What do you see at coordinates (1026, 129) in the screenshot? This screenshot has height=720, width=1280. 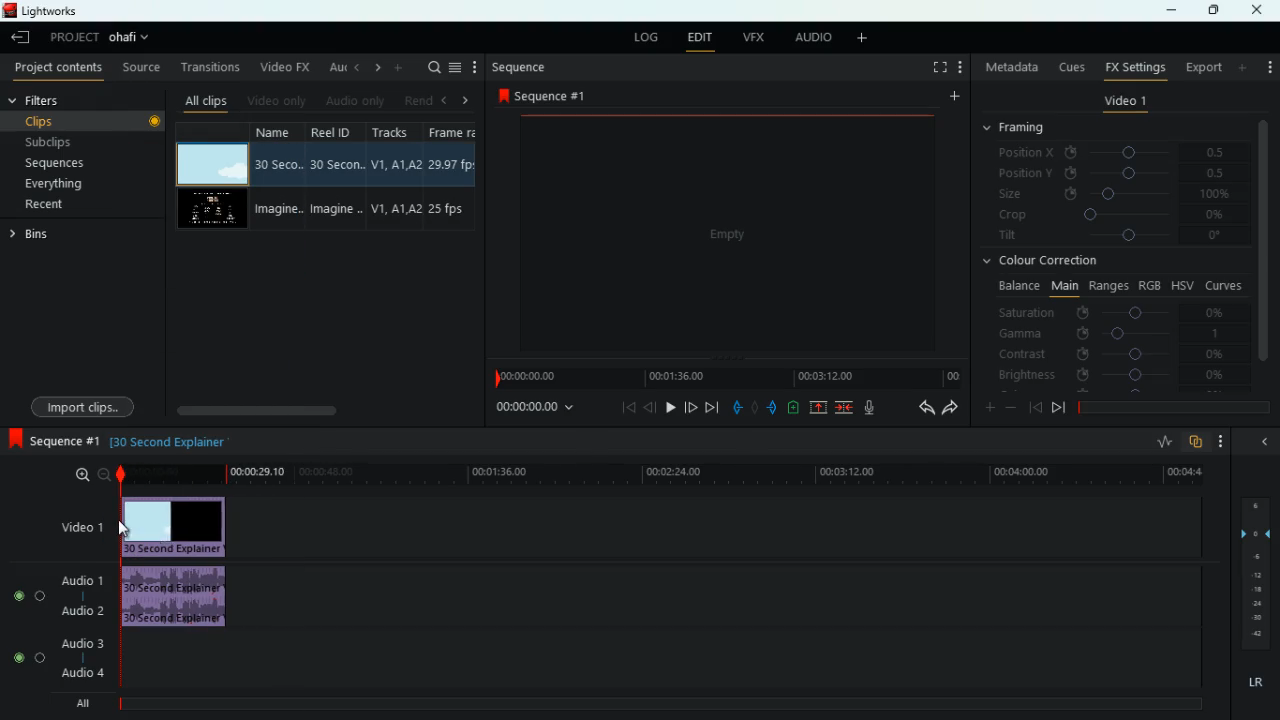 I see `framing` at bounding box center [1026, 129].